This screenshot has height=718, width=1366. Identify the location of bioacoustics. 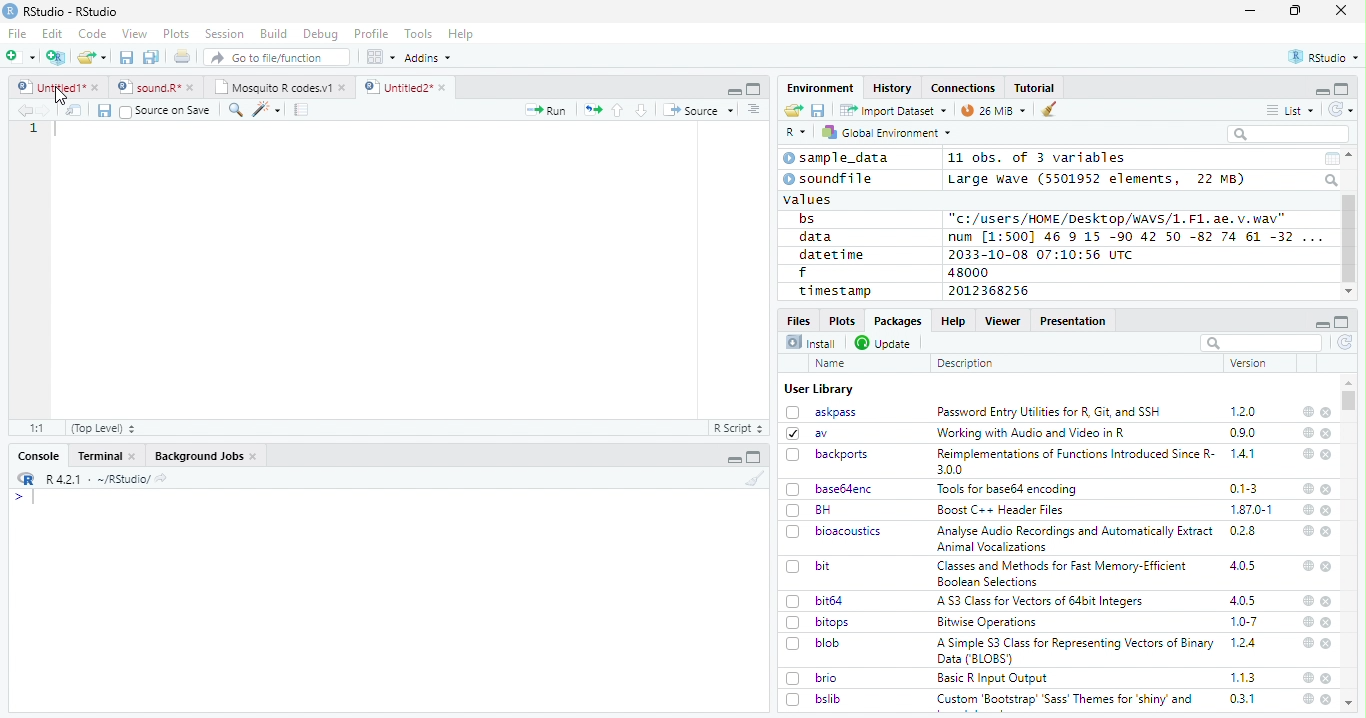
(834, 531).